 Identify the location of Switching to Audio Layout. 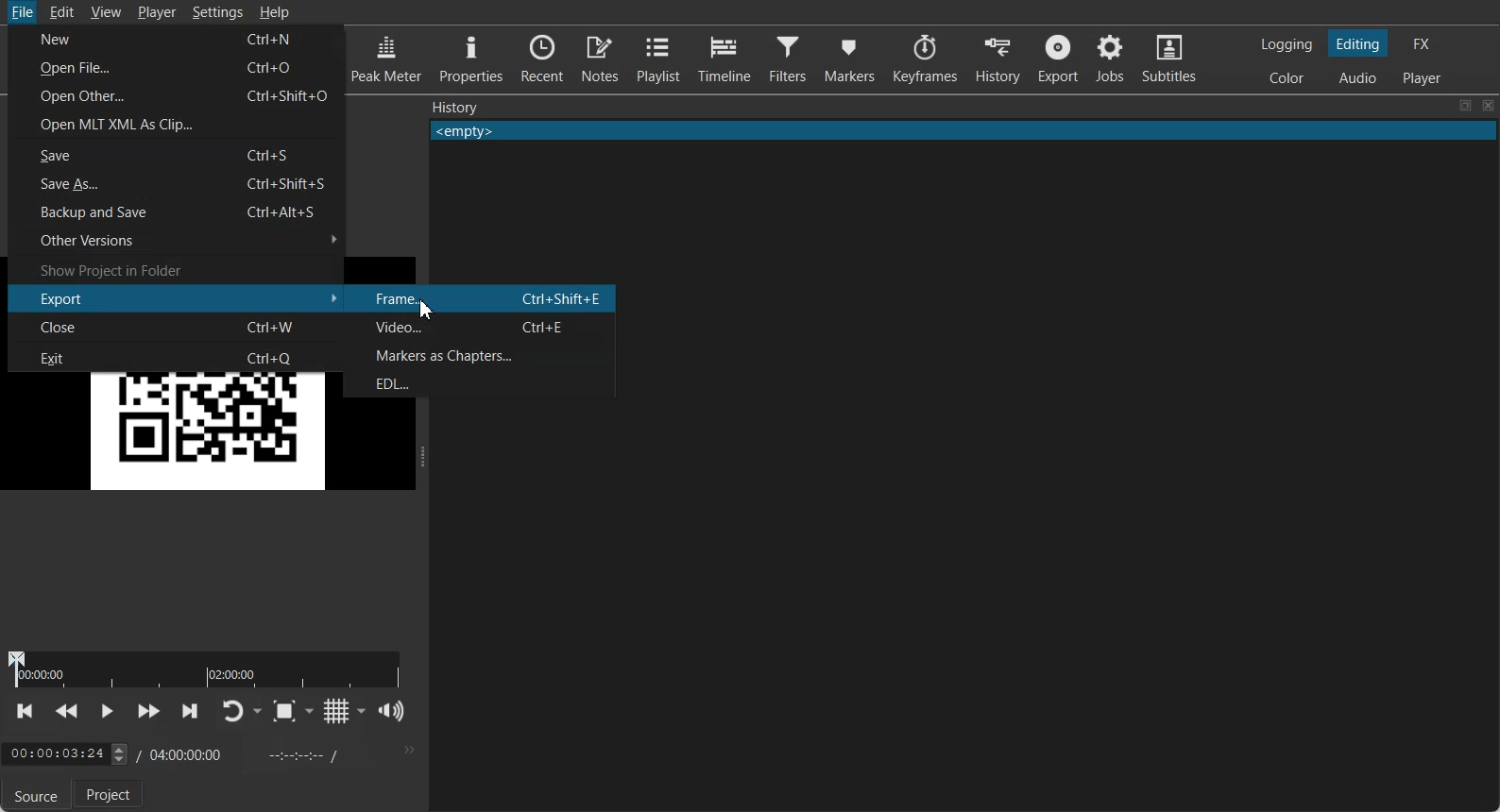
(1358, 76).